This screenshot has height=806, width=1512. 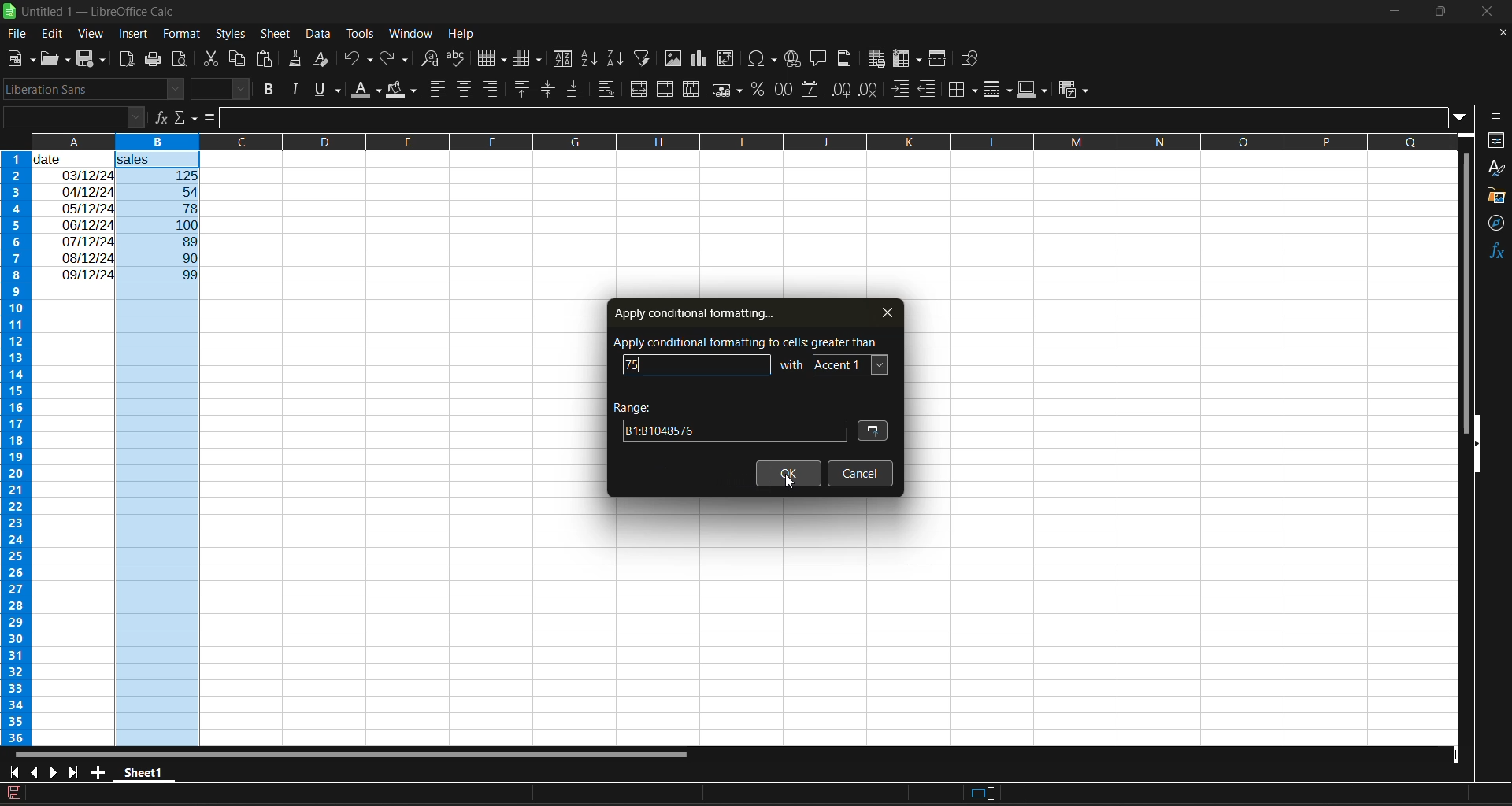 I want to click on save, so click(x=93, y=60).